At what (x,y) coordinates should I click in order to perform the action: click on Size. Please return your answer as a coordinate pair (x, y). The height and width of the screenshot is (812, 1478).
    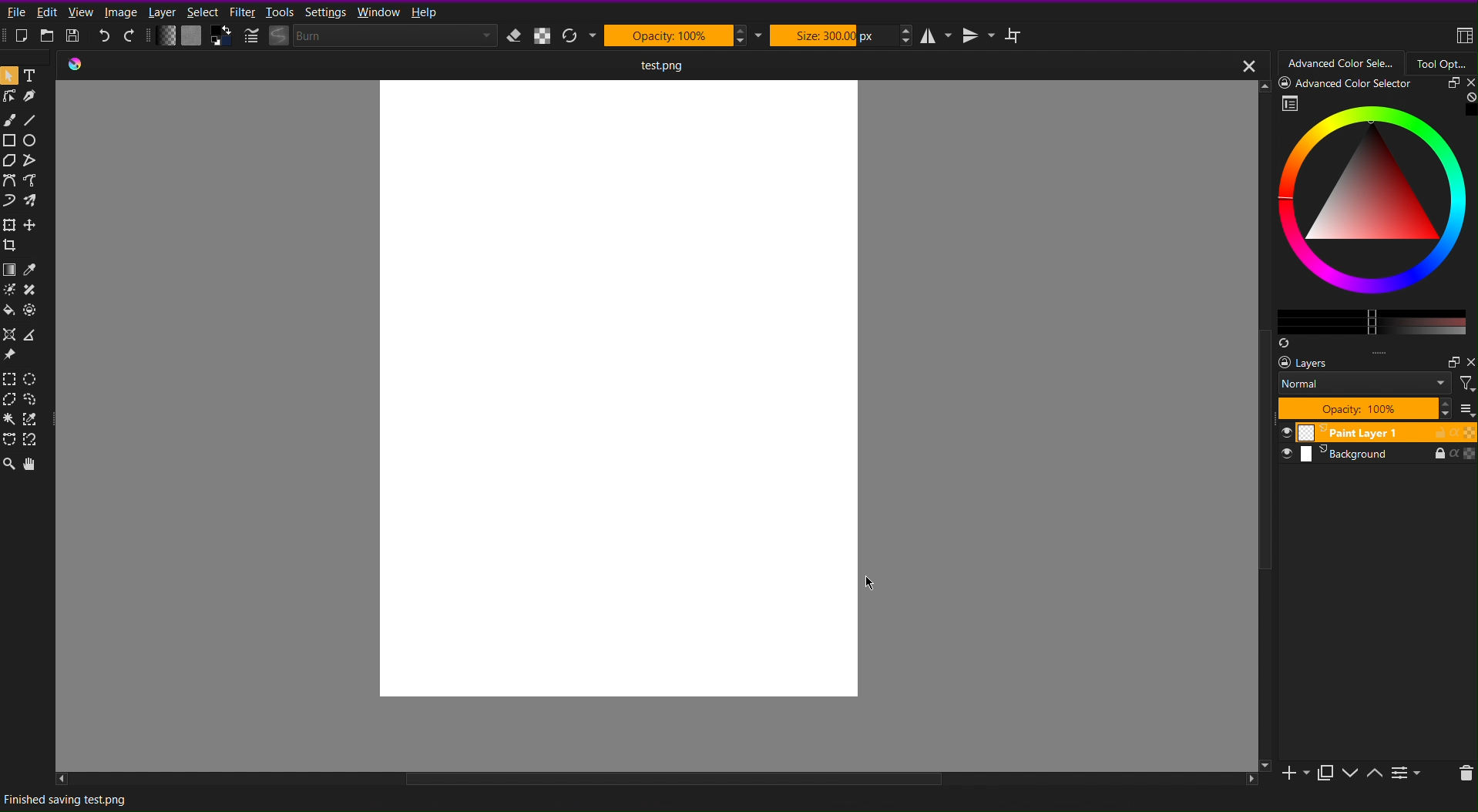
    Looking at the image, I should click on (834, 35).